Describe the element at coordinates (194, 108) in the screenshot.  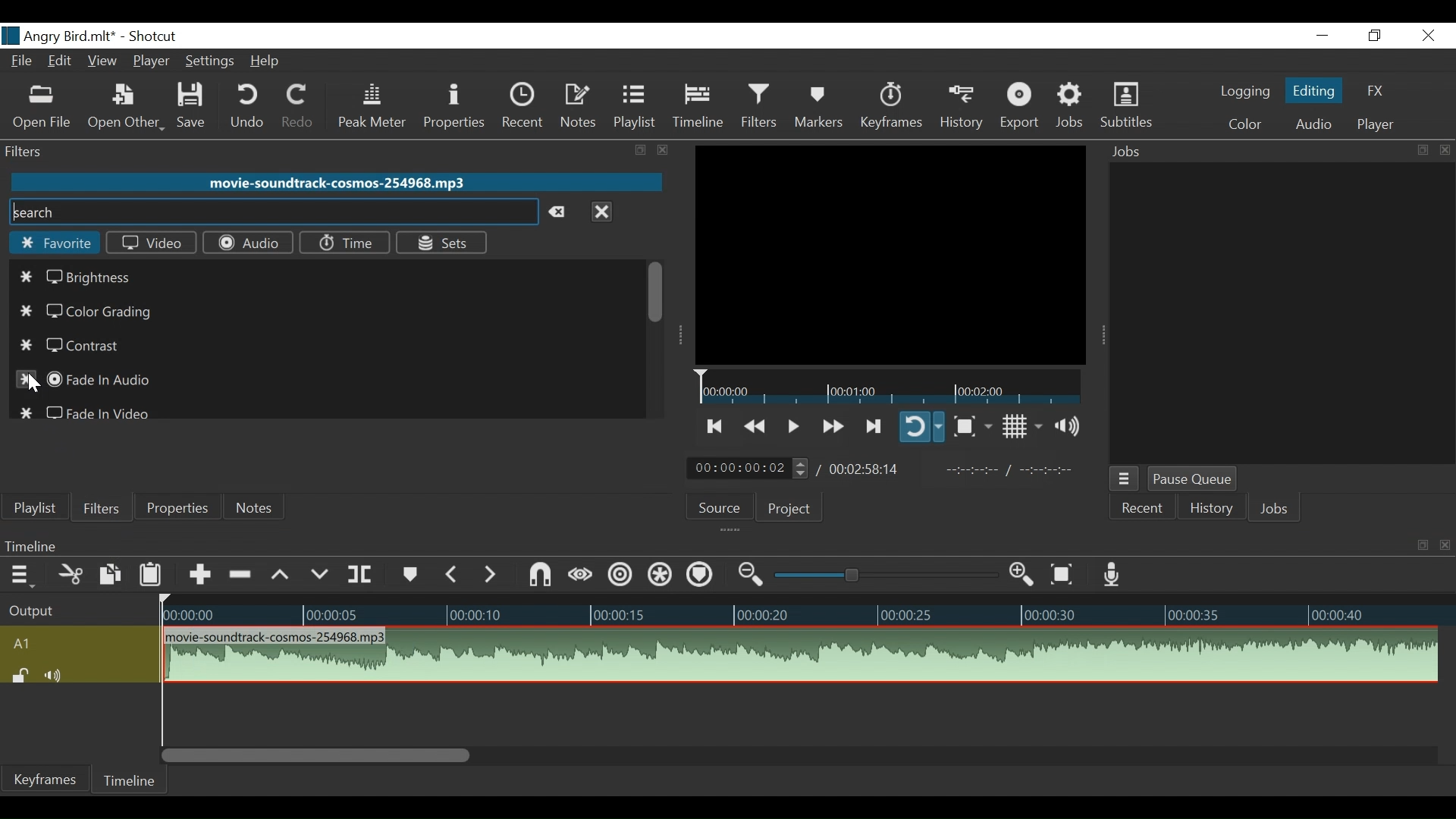
I see `Save` at that location.